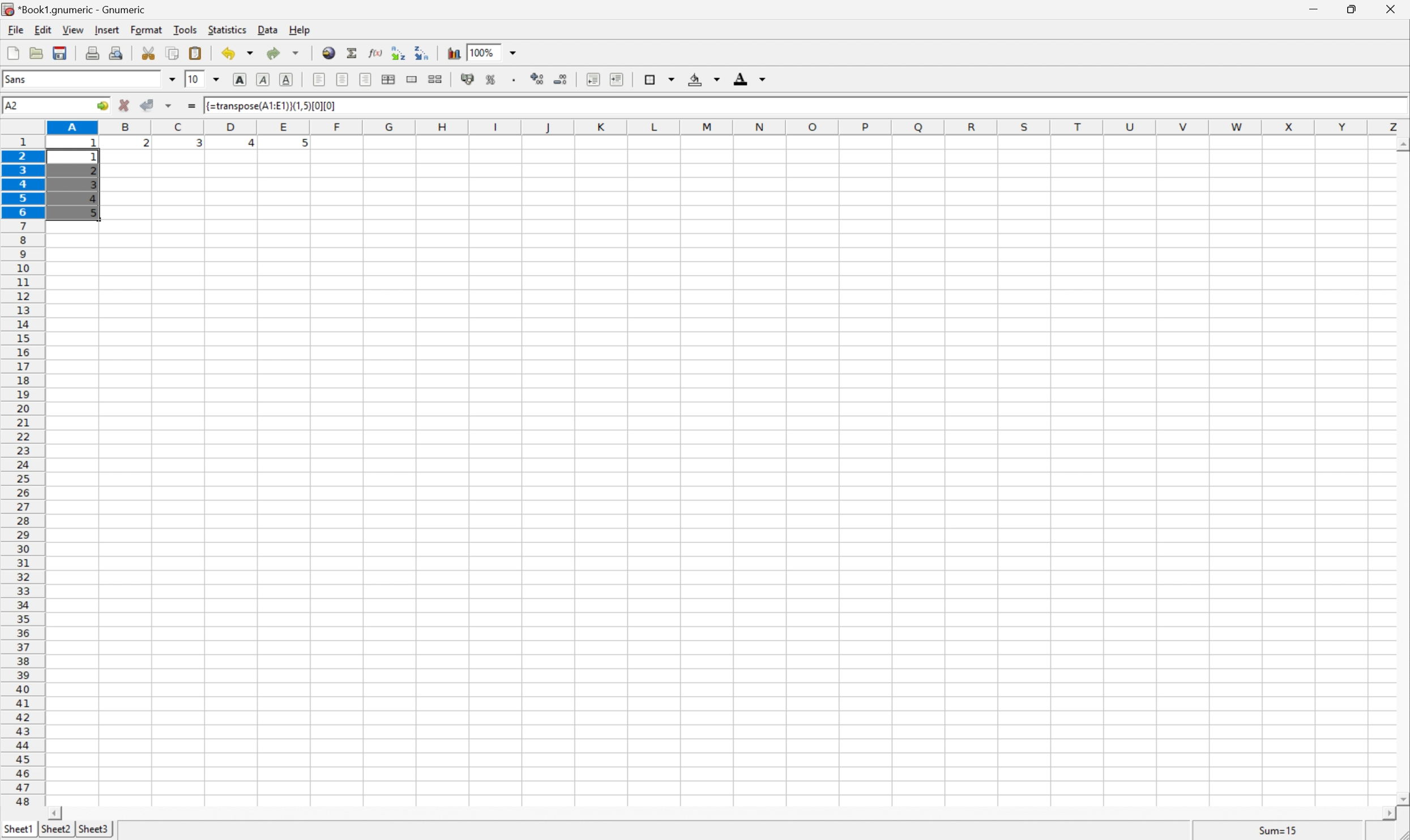  Describe the element at coordinates (297, 29) in the screenshot. I see `help` at that location.